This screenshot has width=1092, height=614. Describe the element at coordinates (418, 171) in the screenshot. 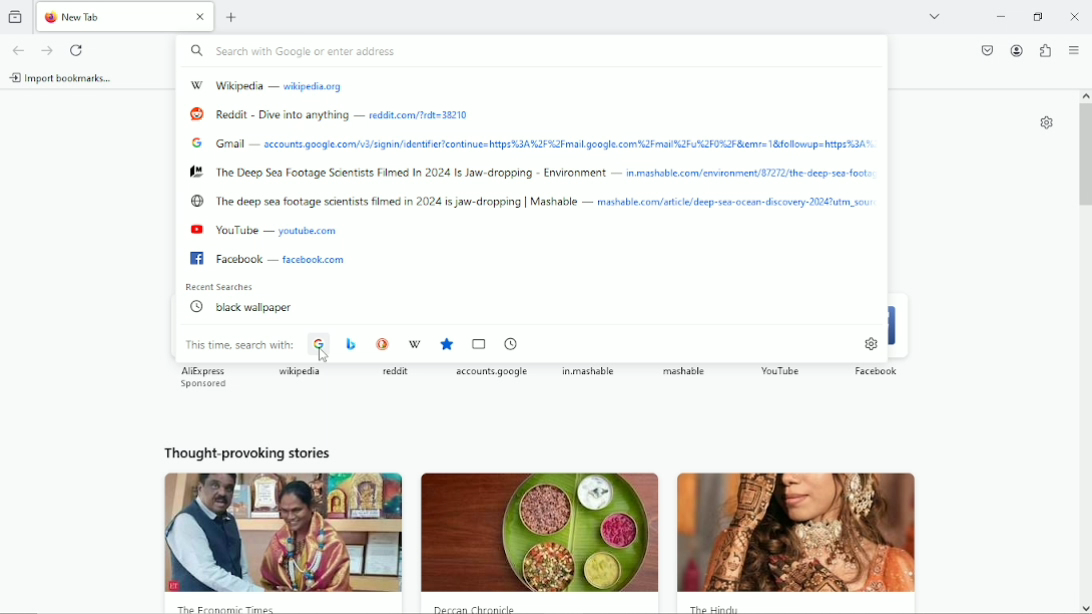

I see `The deep sea footage scientists filmed in 2024 is jaw dropping - environment` at that location.